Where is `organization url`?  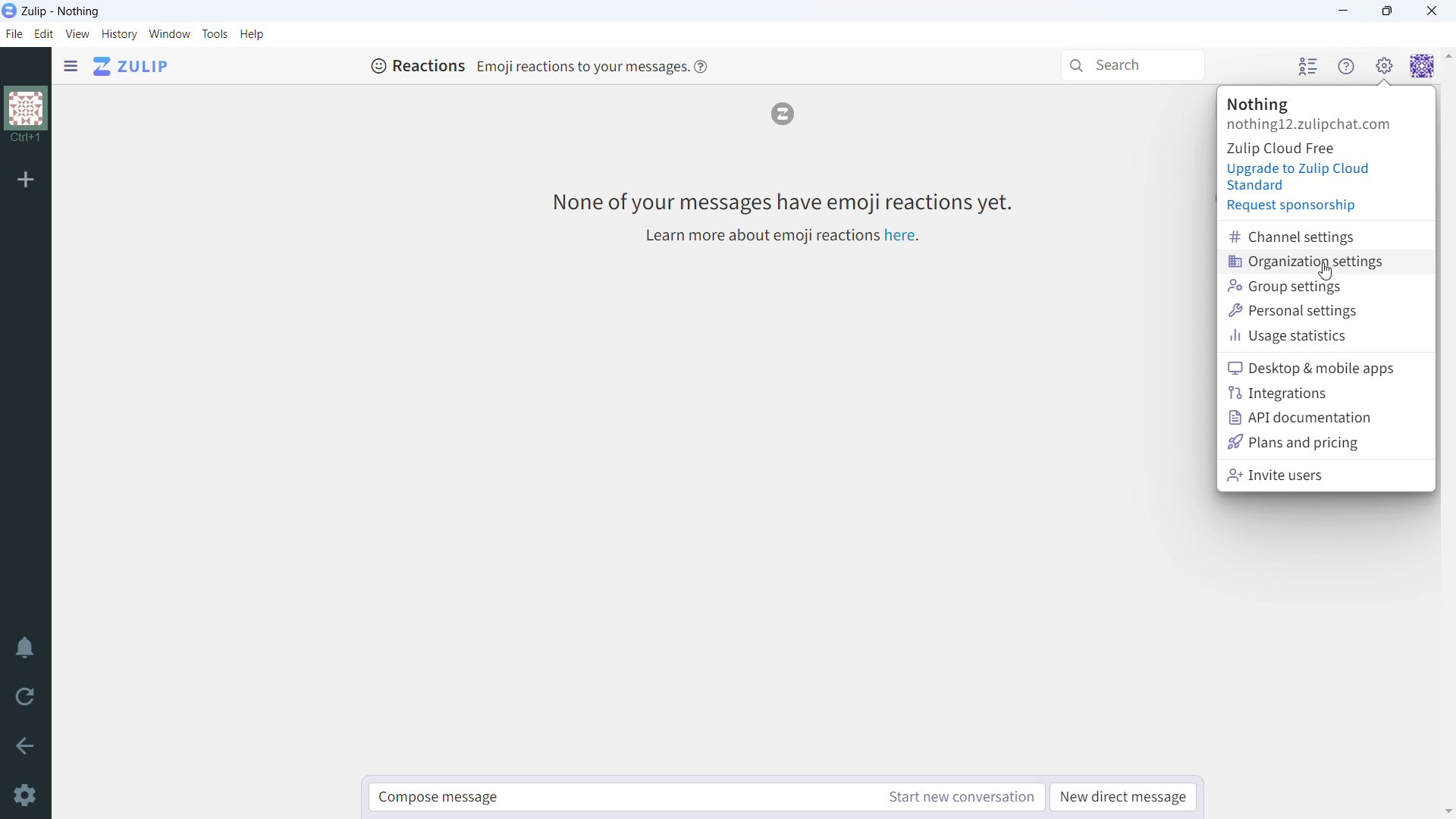 organization url is located at coordinates (1309, 125).